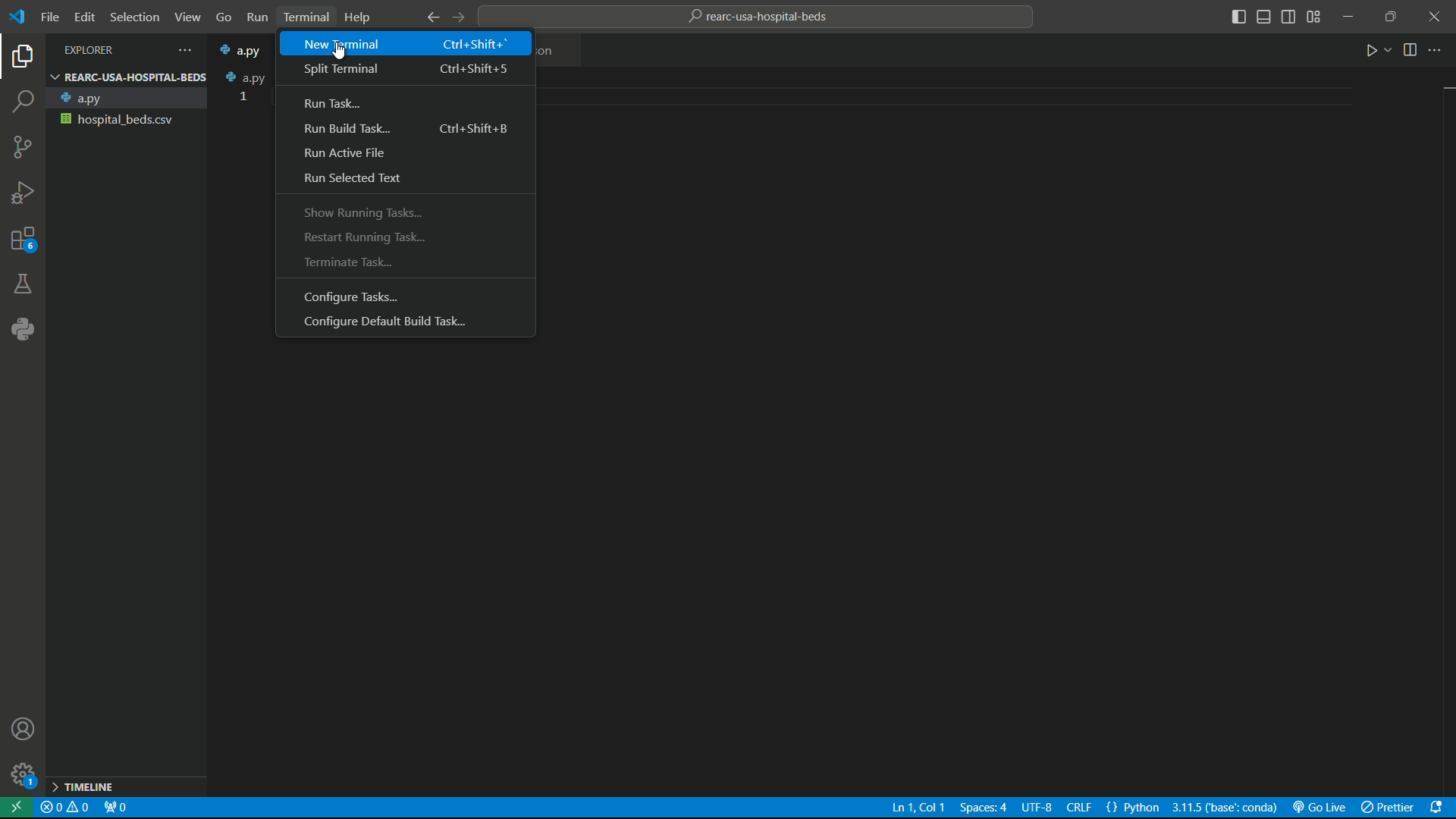  What do you see at coordinates (24, 328) in the screenshot?
I see `python` at bounding box center [24, 328].